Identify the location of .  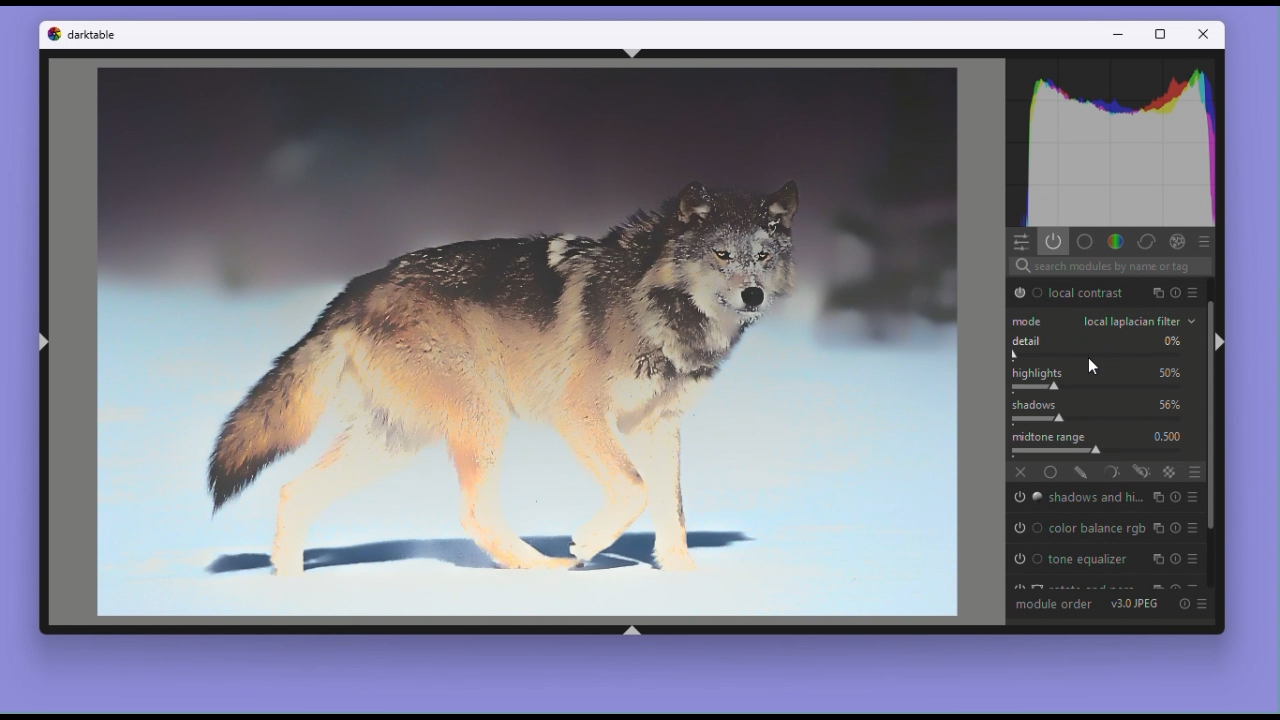
(1176, 498).